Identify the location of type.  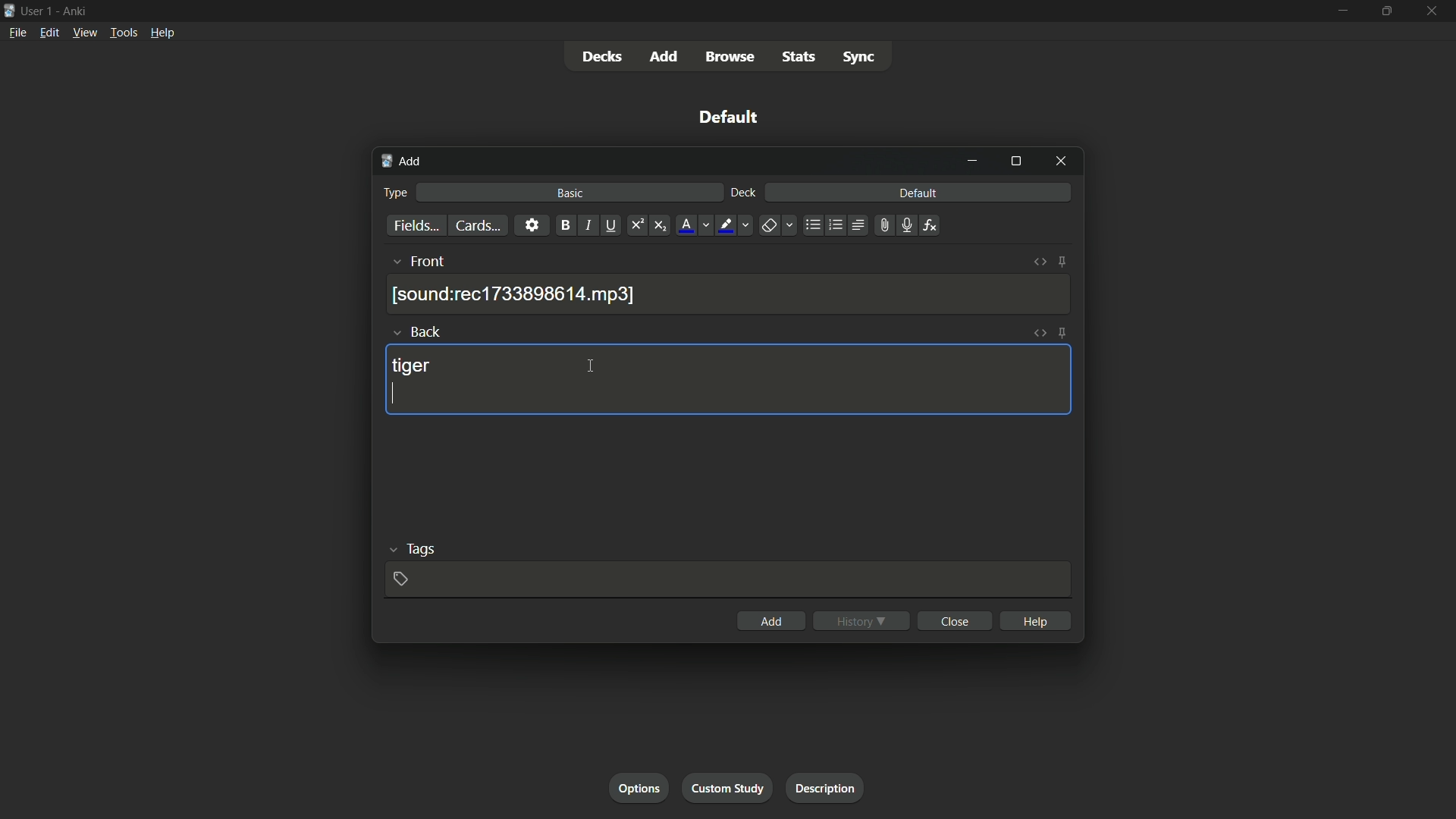
(397, 192).